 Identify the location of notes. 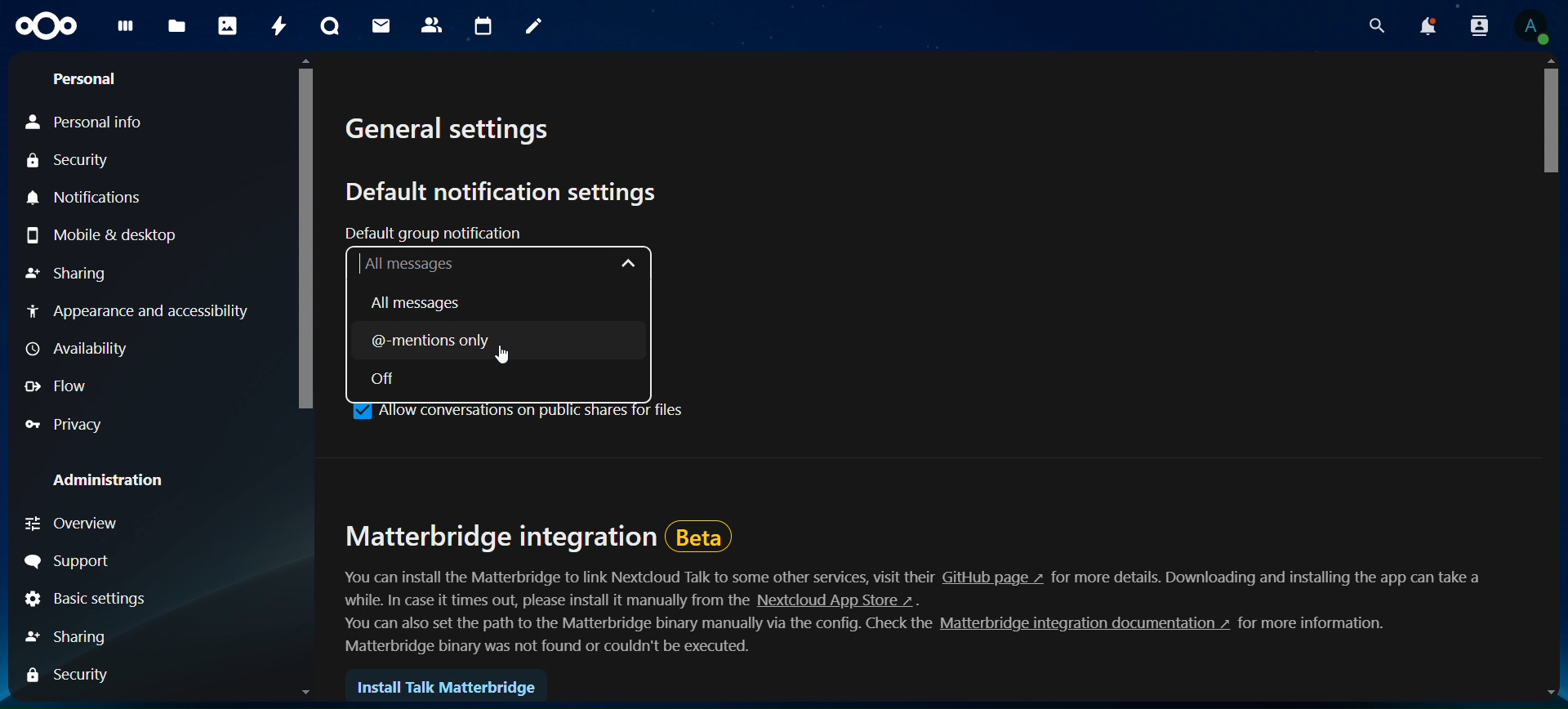
(535, 29).